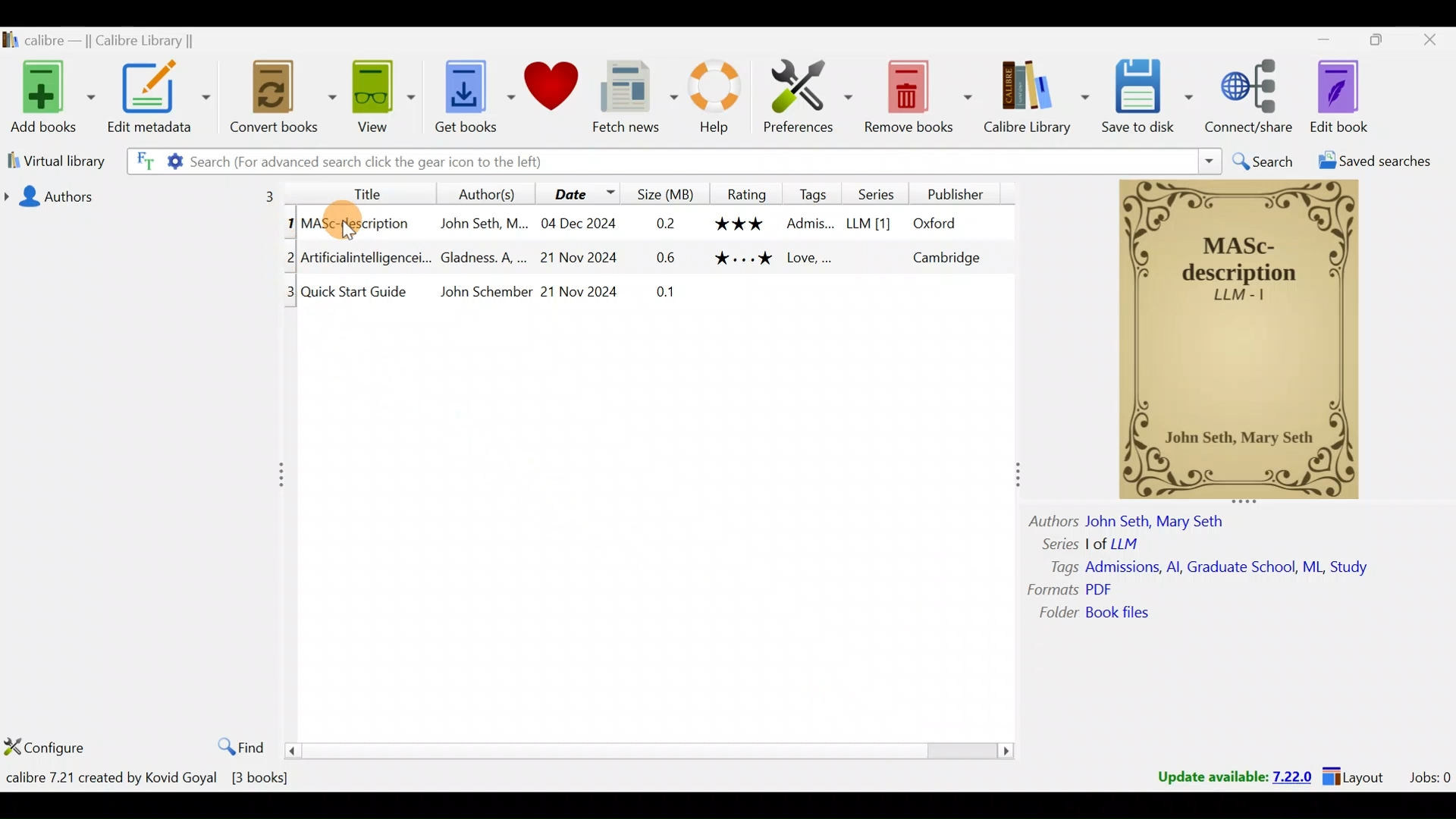 Image resolution: width=1456 pixels, height=819 pixels. Describe the element at coordinates (162, 99) in the screenshot. I see `Edit metadata` at that location.